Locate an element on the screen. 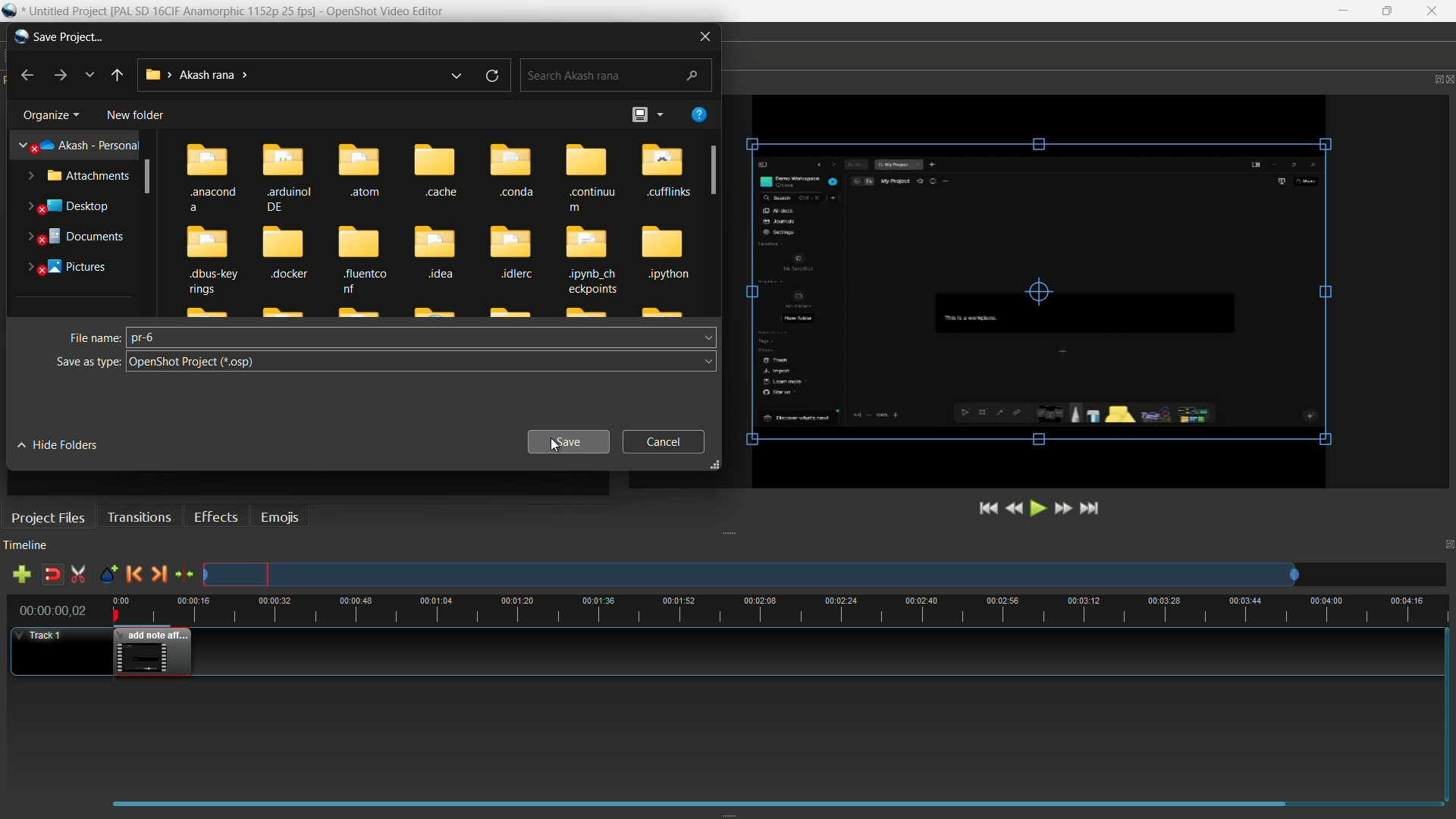 The width and height of the screenshot is (1456, 819). cache is located at coordinates (438, 175).